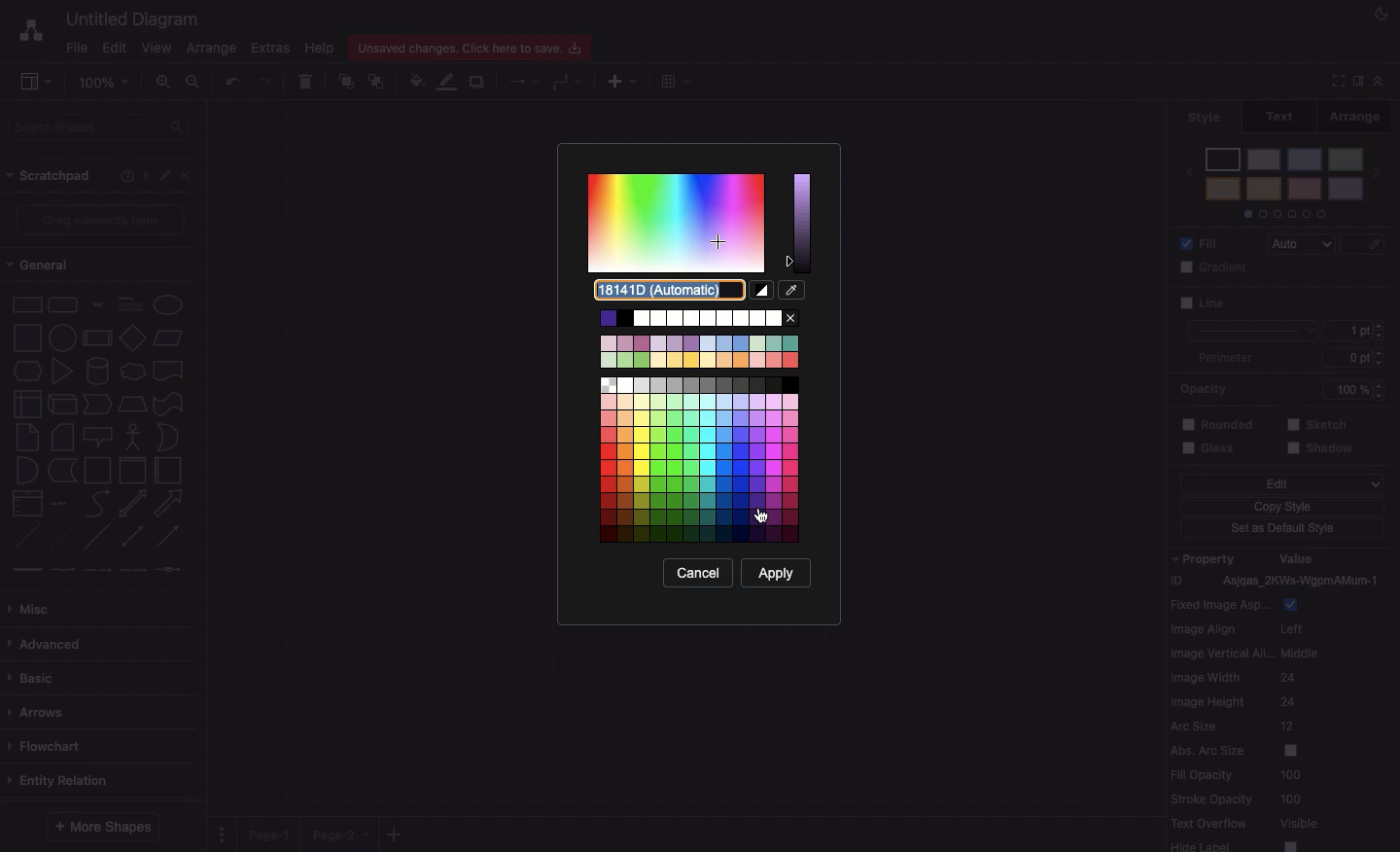  Describe the element at coordinates (1213, 449) in the screenshot. I see `Glass` at that location.